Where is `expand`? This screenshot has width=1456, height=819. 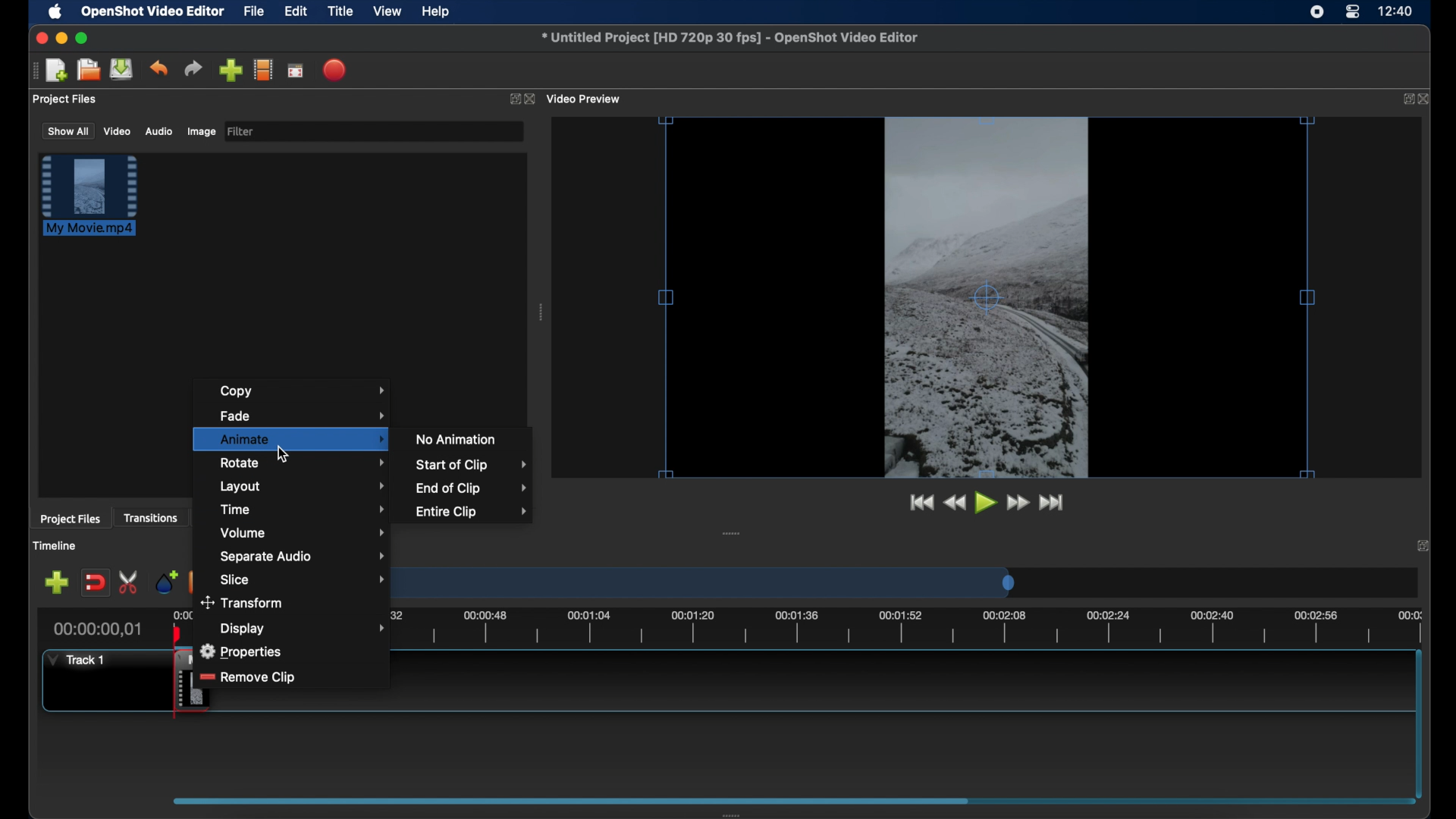 expand is located at coordinates (1405, 99).